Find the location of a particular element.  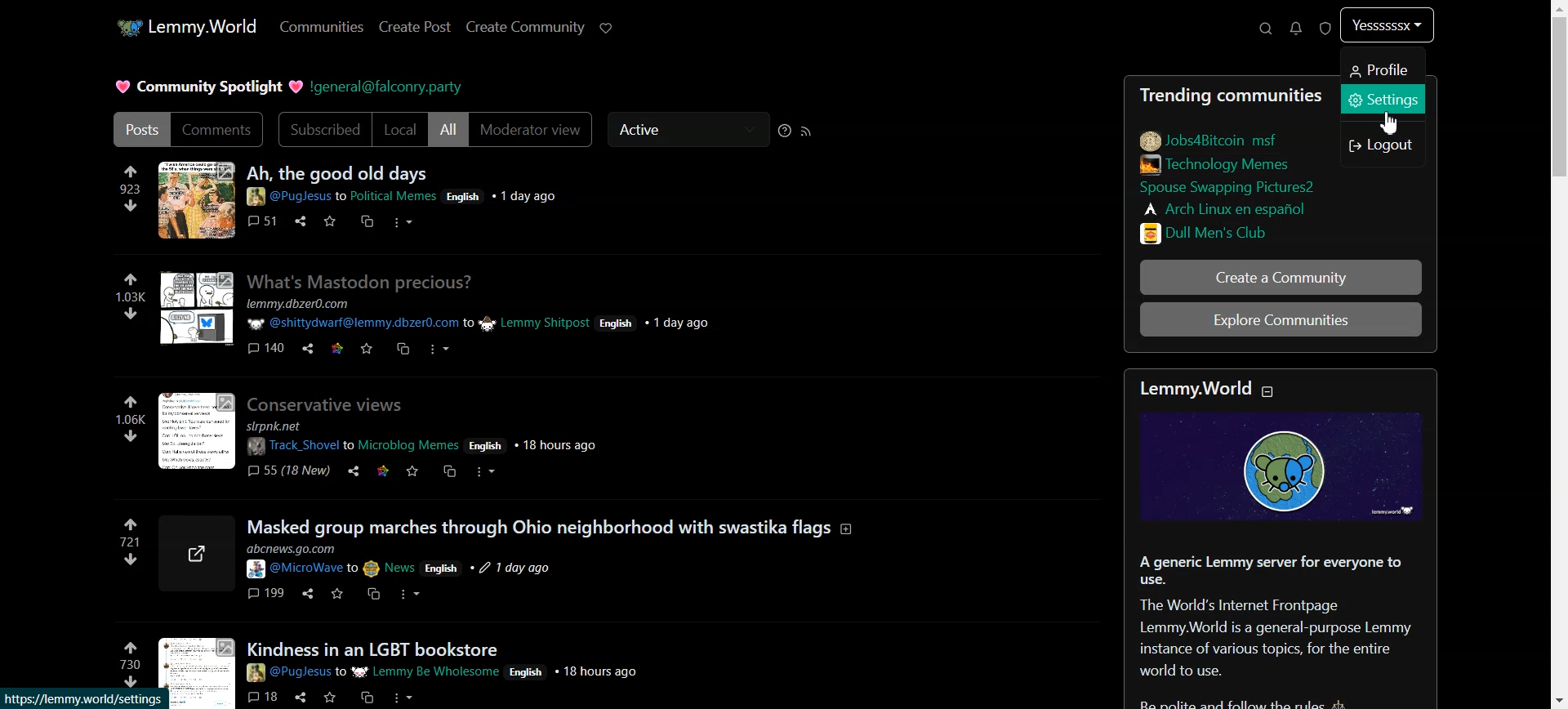

Posts is located at coordinates (338, 172).